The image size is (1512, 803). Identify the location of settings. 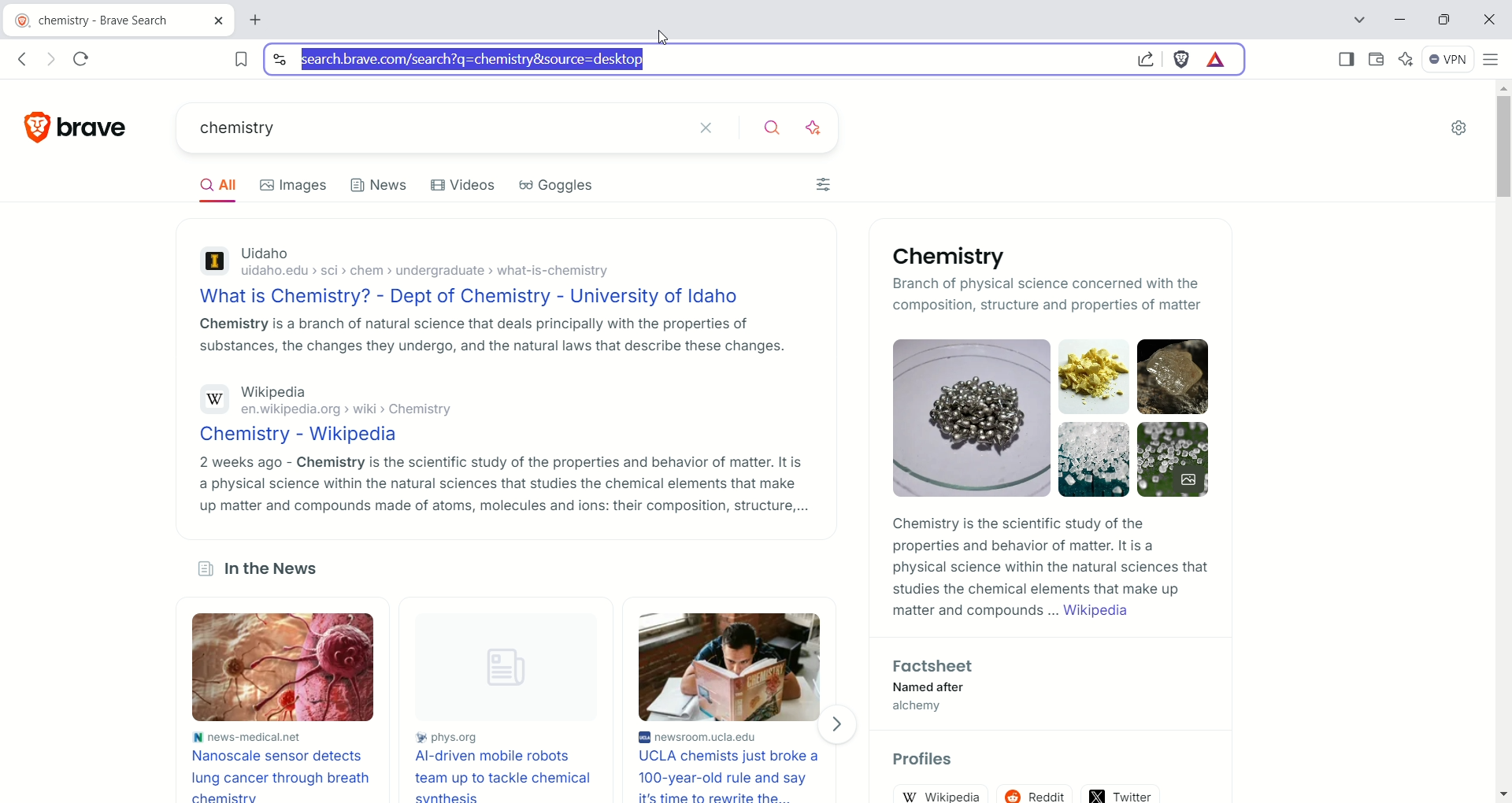
(1462, 127).